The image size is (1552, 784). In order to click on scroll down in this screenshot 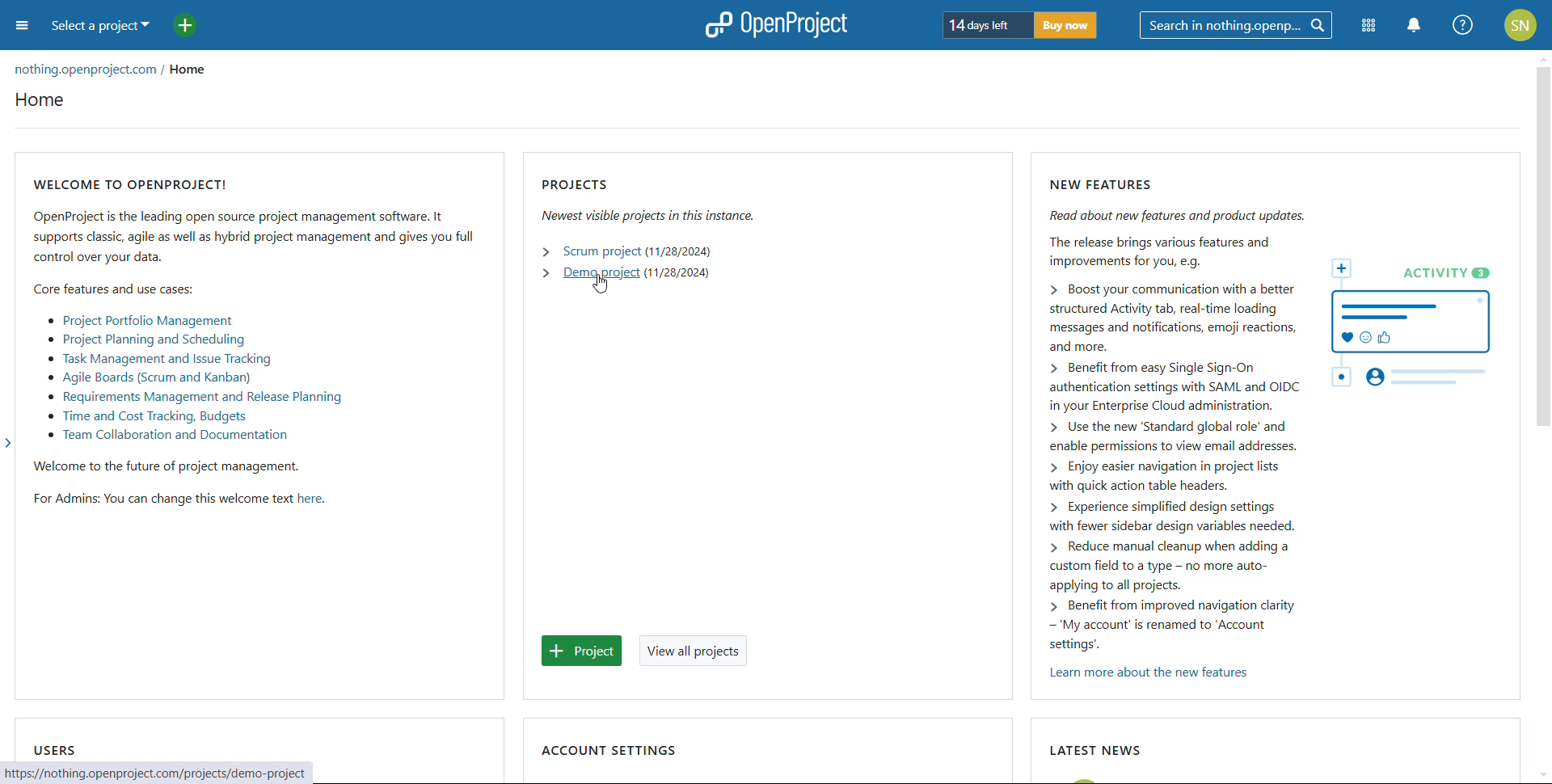, I will do `click(1542, 776)`.